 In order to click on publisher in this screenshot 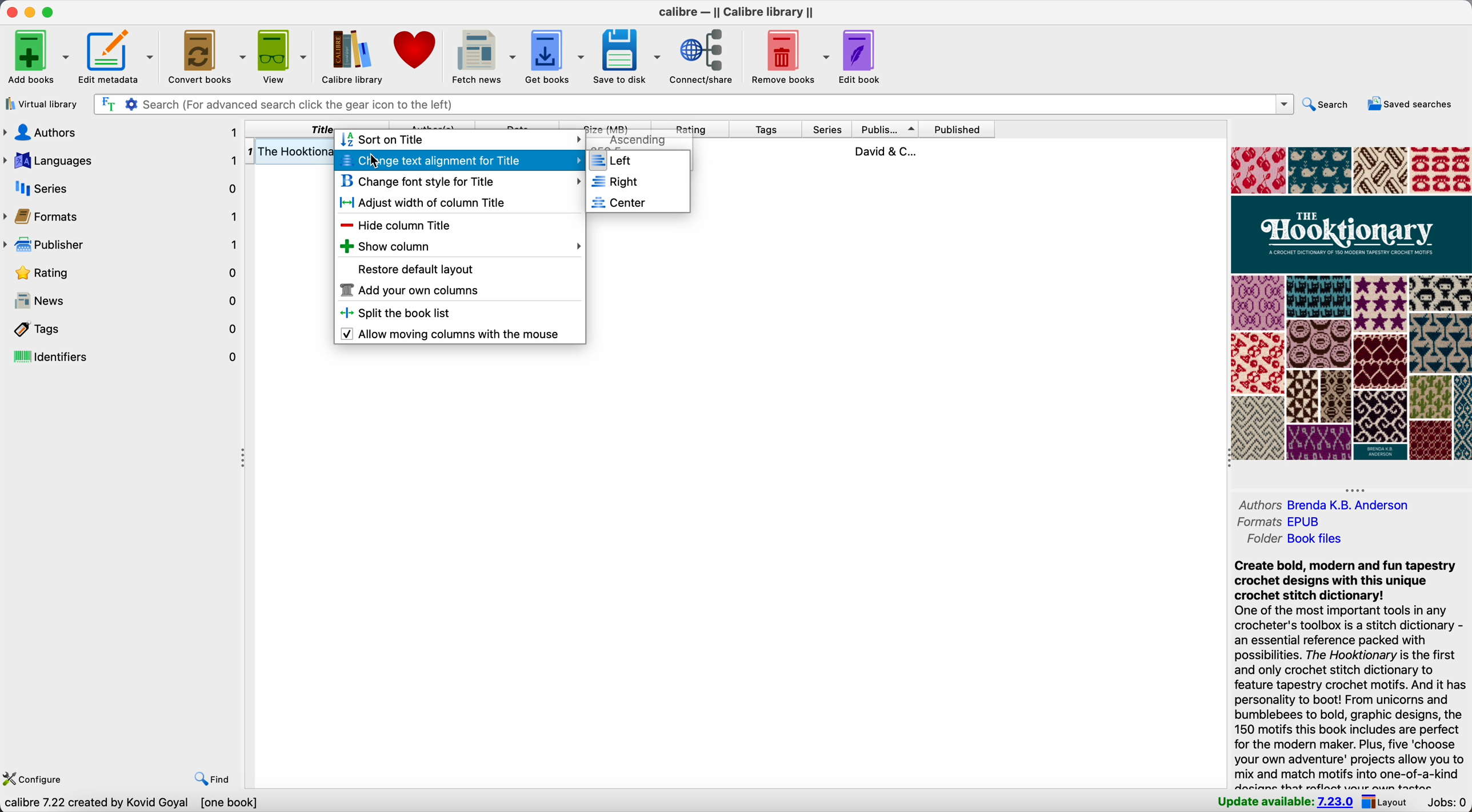, I will do `click(122, 247)`.